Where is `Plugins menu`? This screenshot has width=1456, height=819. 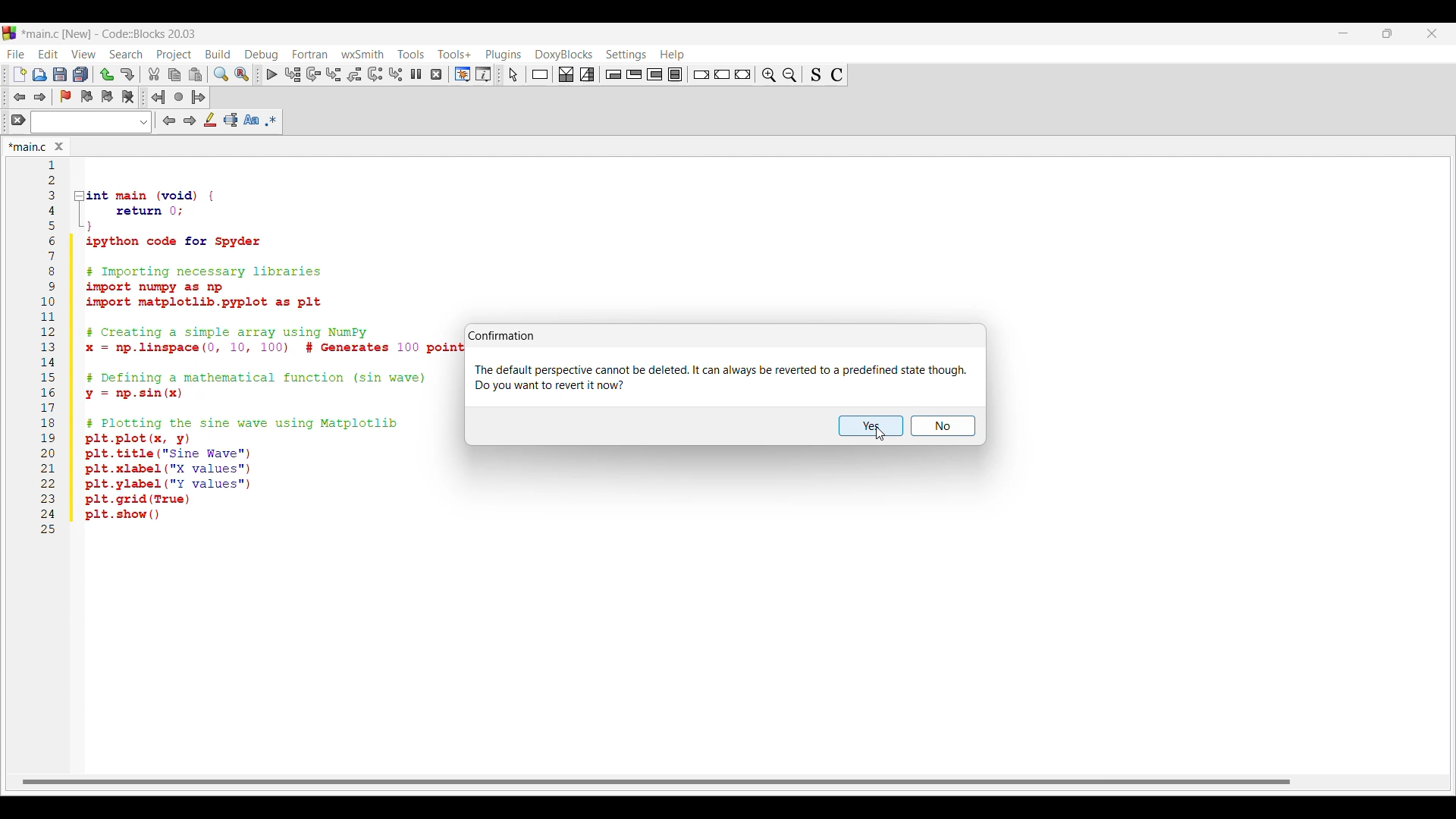
Plugins menu is located at coordinates (504, 55).